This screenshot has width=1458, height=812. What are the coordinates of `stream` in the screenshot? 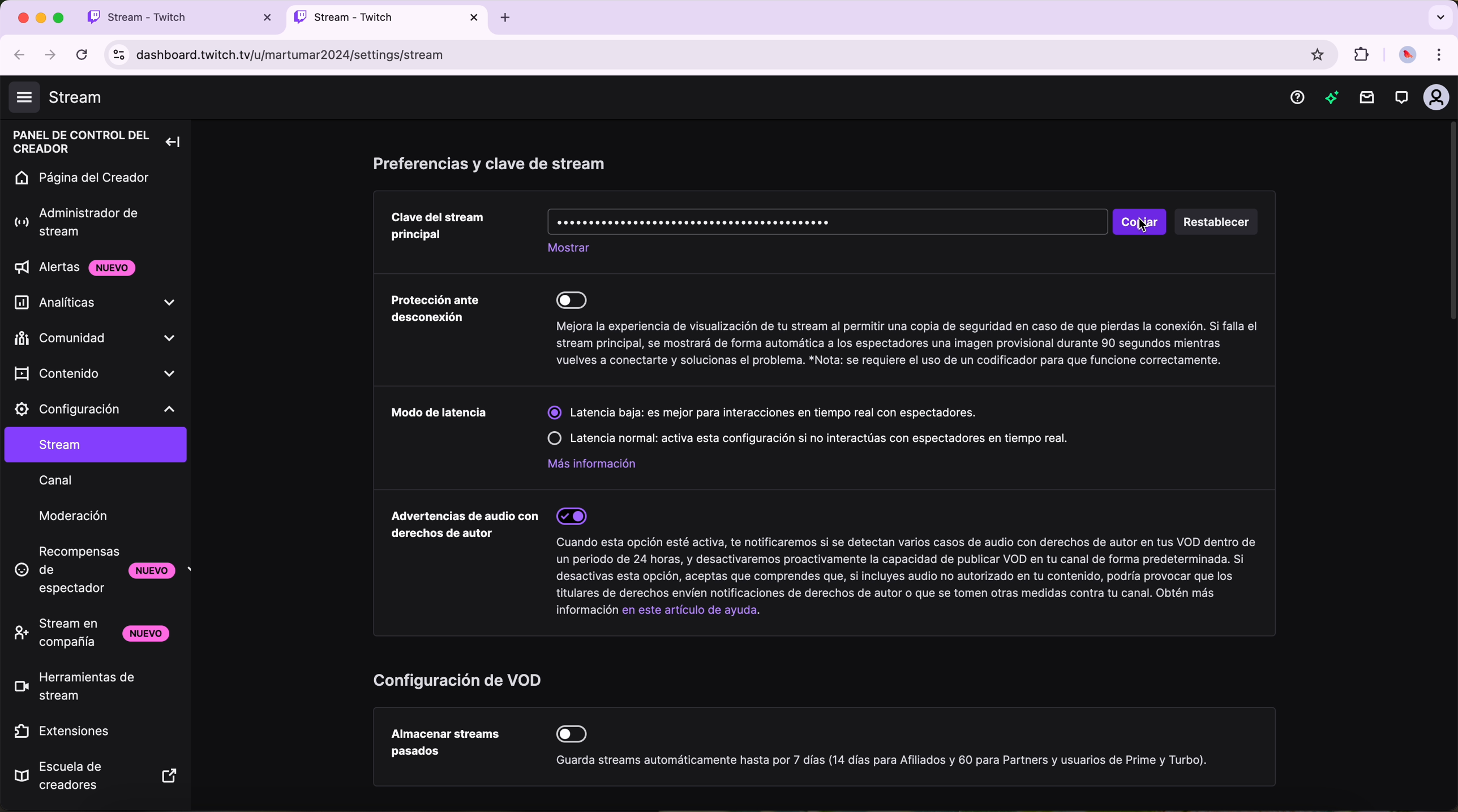 It's located at (78, 95).